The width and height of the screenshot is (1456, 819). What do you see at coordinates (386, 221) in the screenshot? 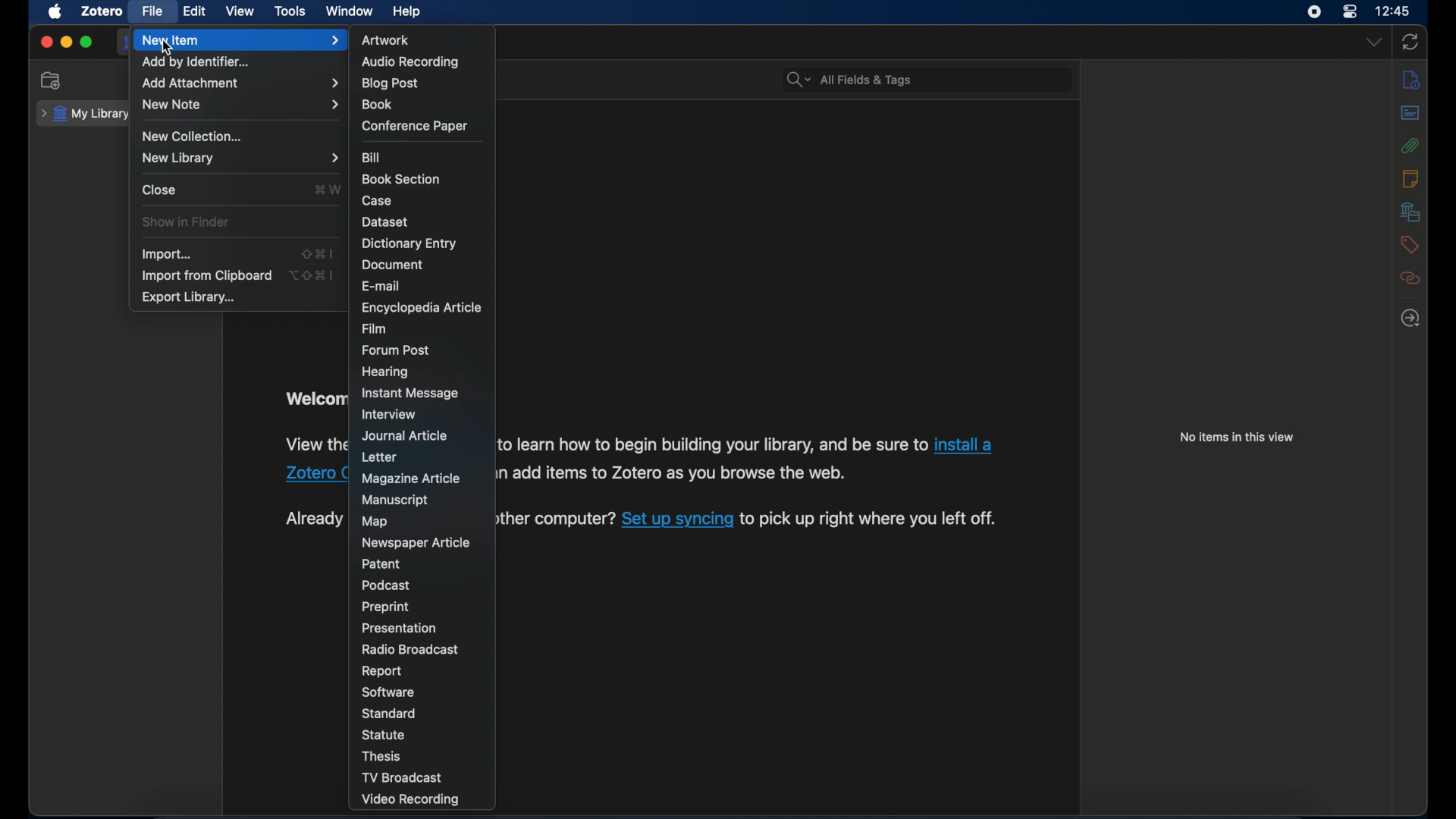
I see `dataset` at bounding box center [386, 221].